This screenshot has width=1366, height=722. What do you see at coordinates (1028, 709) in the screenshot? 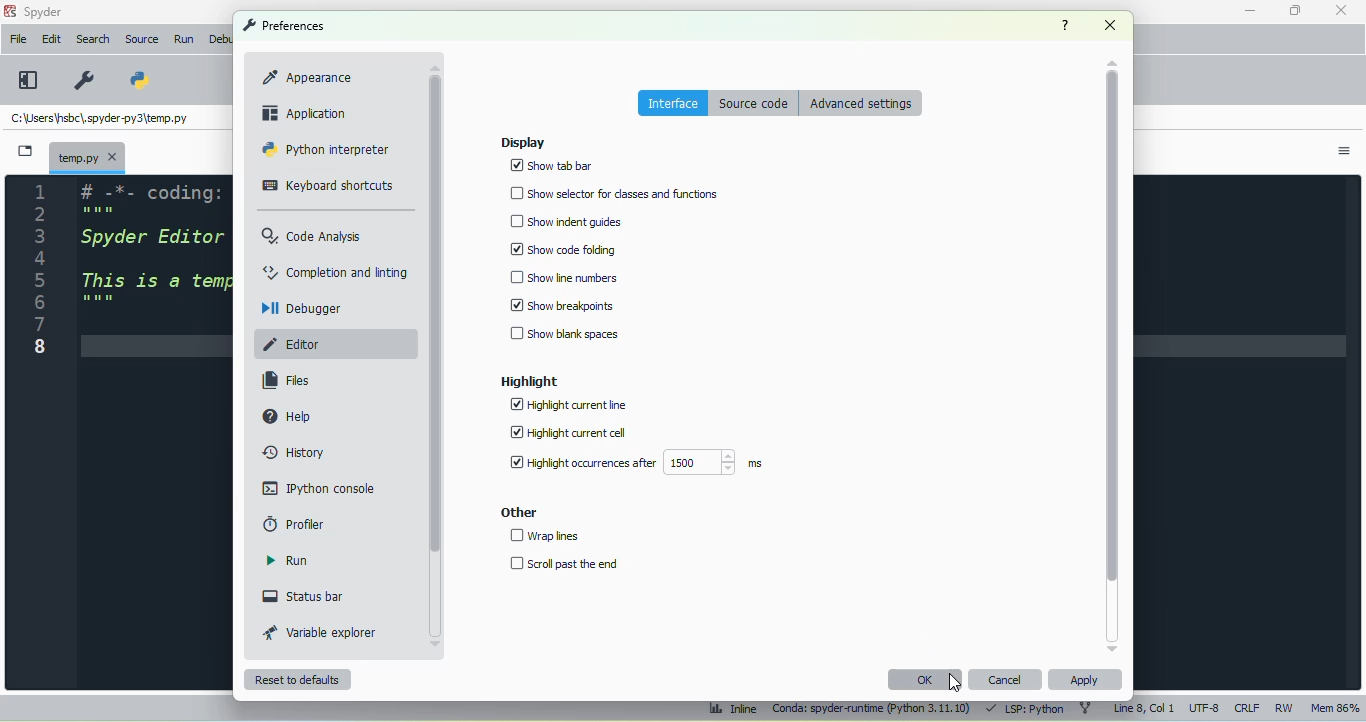
I see `LSP: Python` at bounding box center [1028, 709].